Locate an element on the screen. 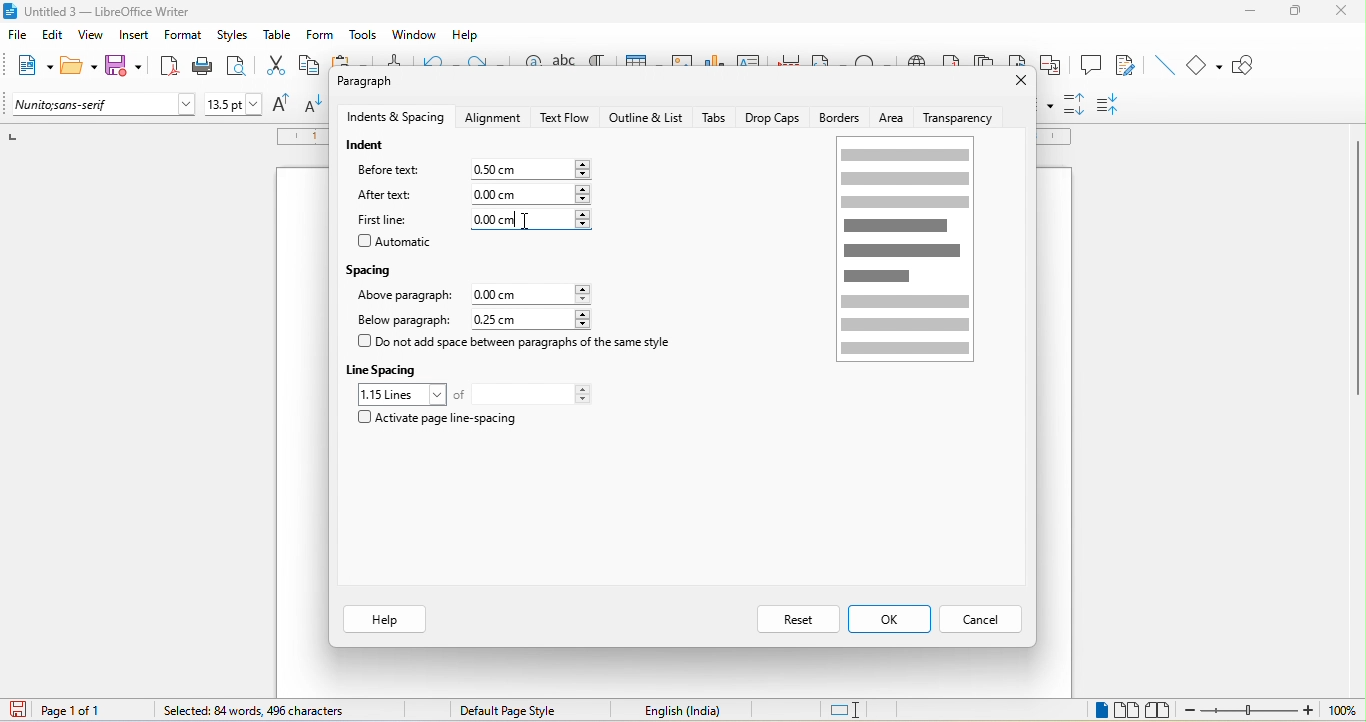 The image size is (1366, 722). help is located at coordinates (464, 34).